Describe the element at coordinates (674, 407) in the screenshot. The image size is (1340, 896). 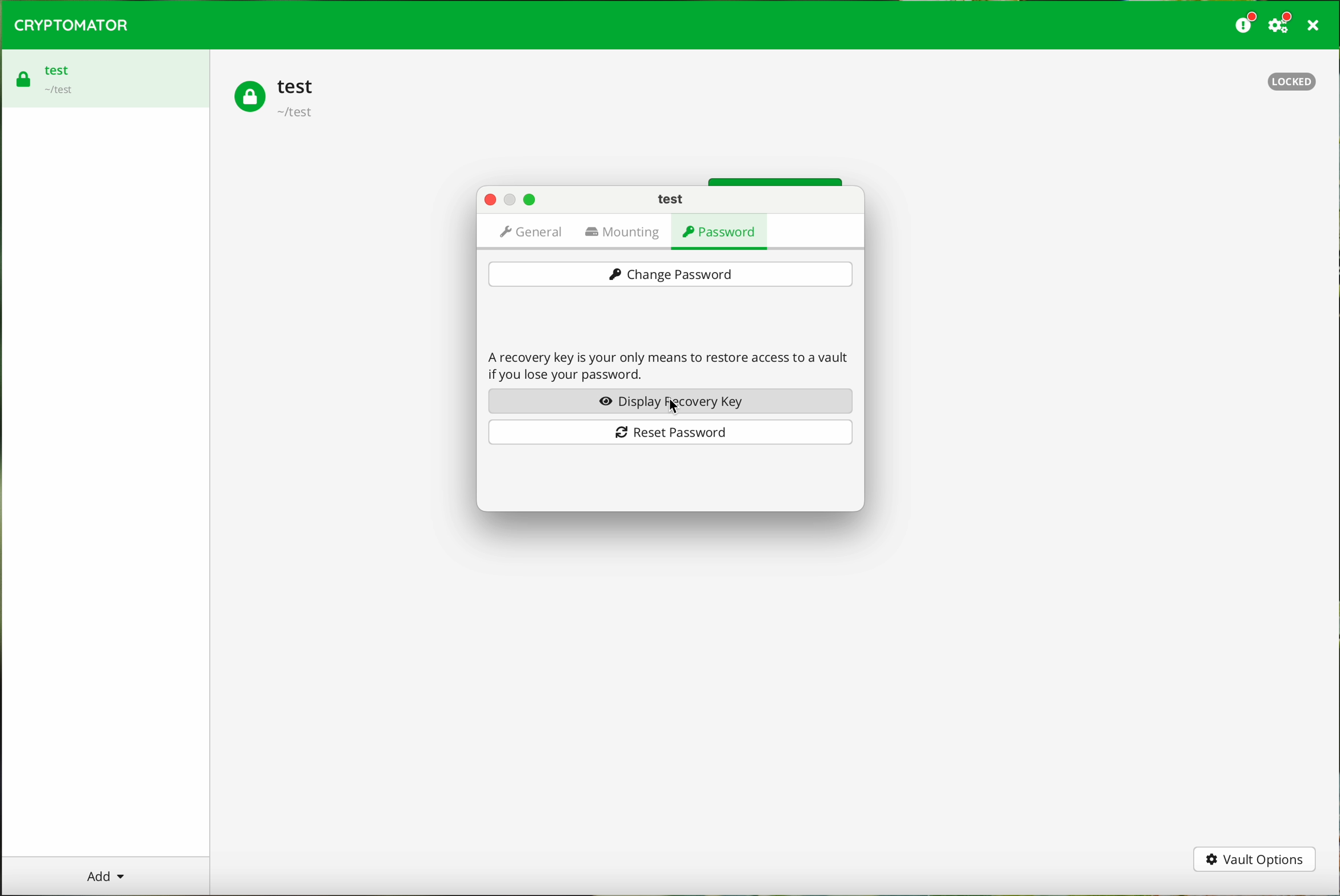
I see `cursor` at that location.